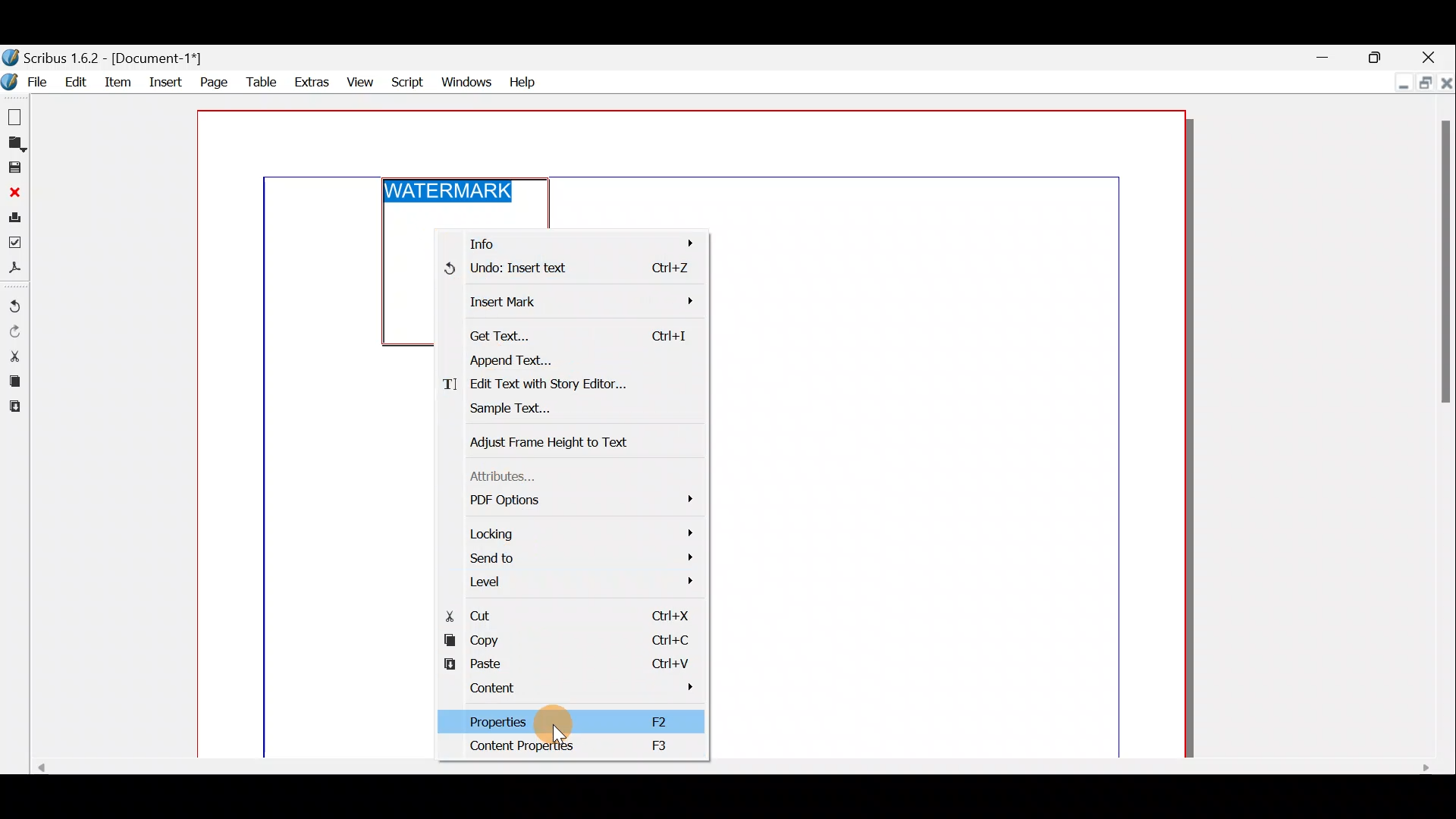  I want to click on Help, so click(522, 80).